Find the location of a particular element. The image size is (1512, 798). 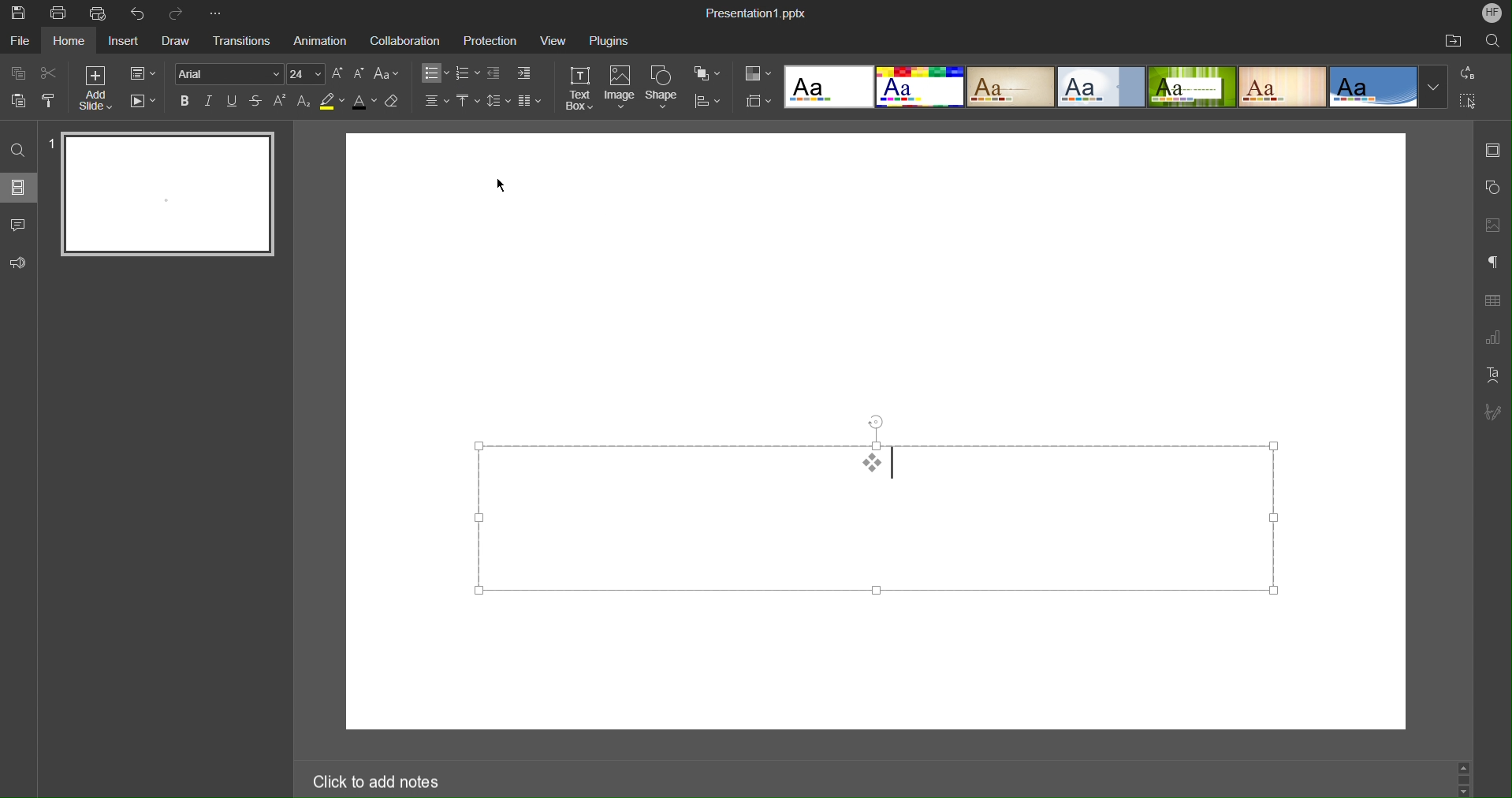

Font Size is located at coordinates (347, 74).